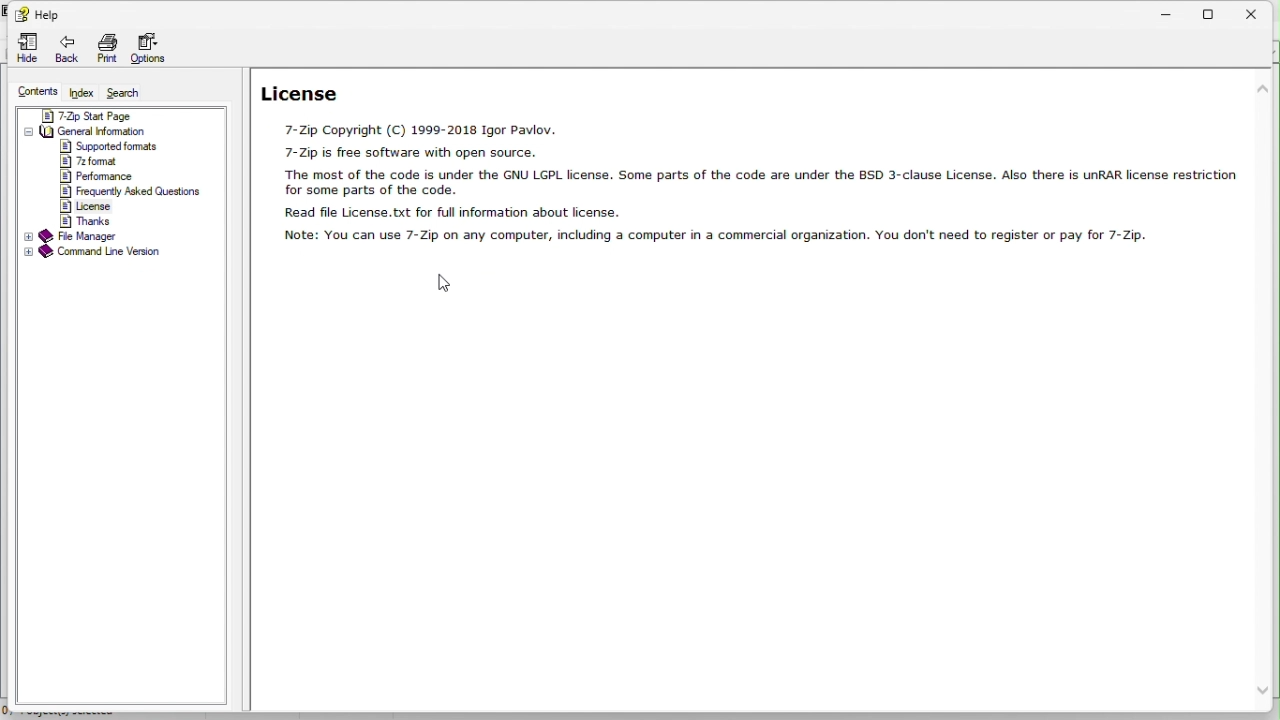 The width and height of the screenshot is (1280, 720). What do you see at coordinates (443, 283) in the screenshot?
I see `cursor` at bounding box center [443, 283].